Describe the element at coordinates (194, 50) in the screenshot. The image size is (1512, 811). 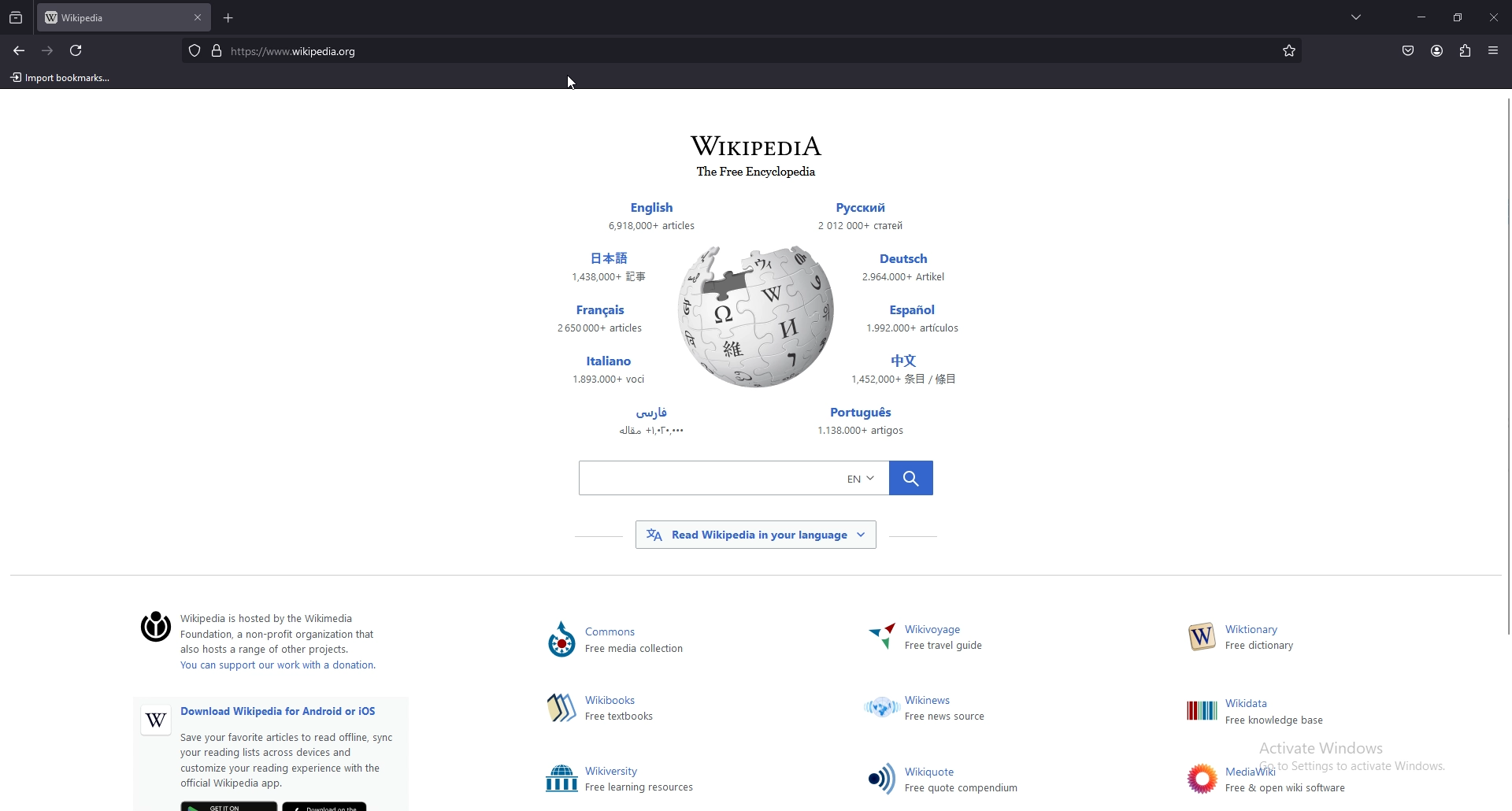
I see `protected` at that location.